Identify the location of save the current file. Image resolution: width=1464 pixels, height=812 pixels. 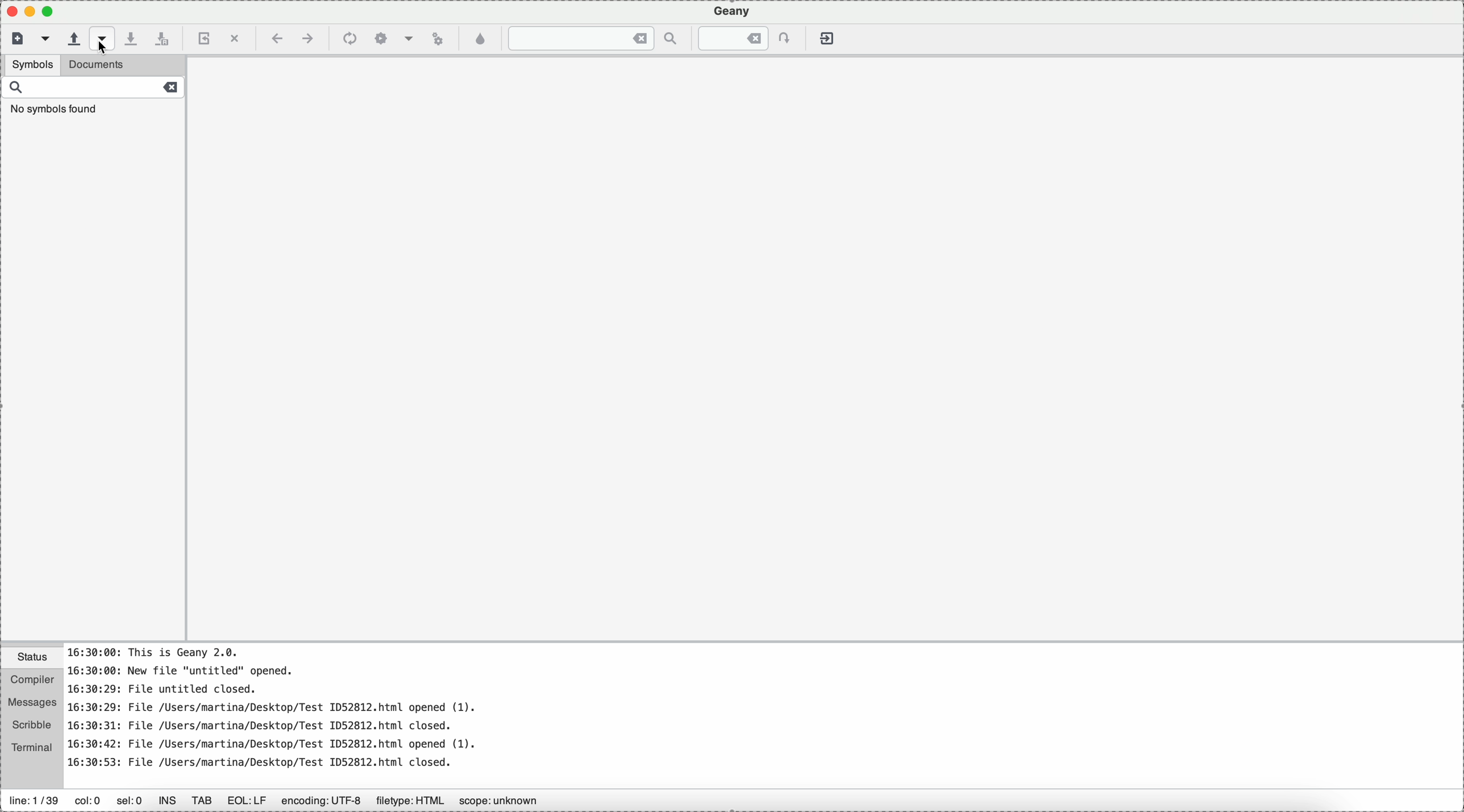
(136, 37).